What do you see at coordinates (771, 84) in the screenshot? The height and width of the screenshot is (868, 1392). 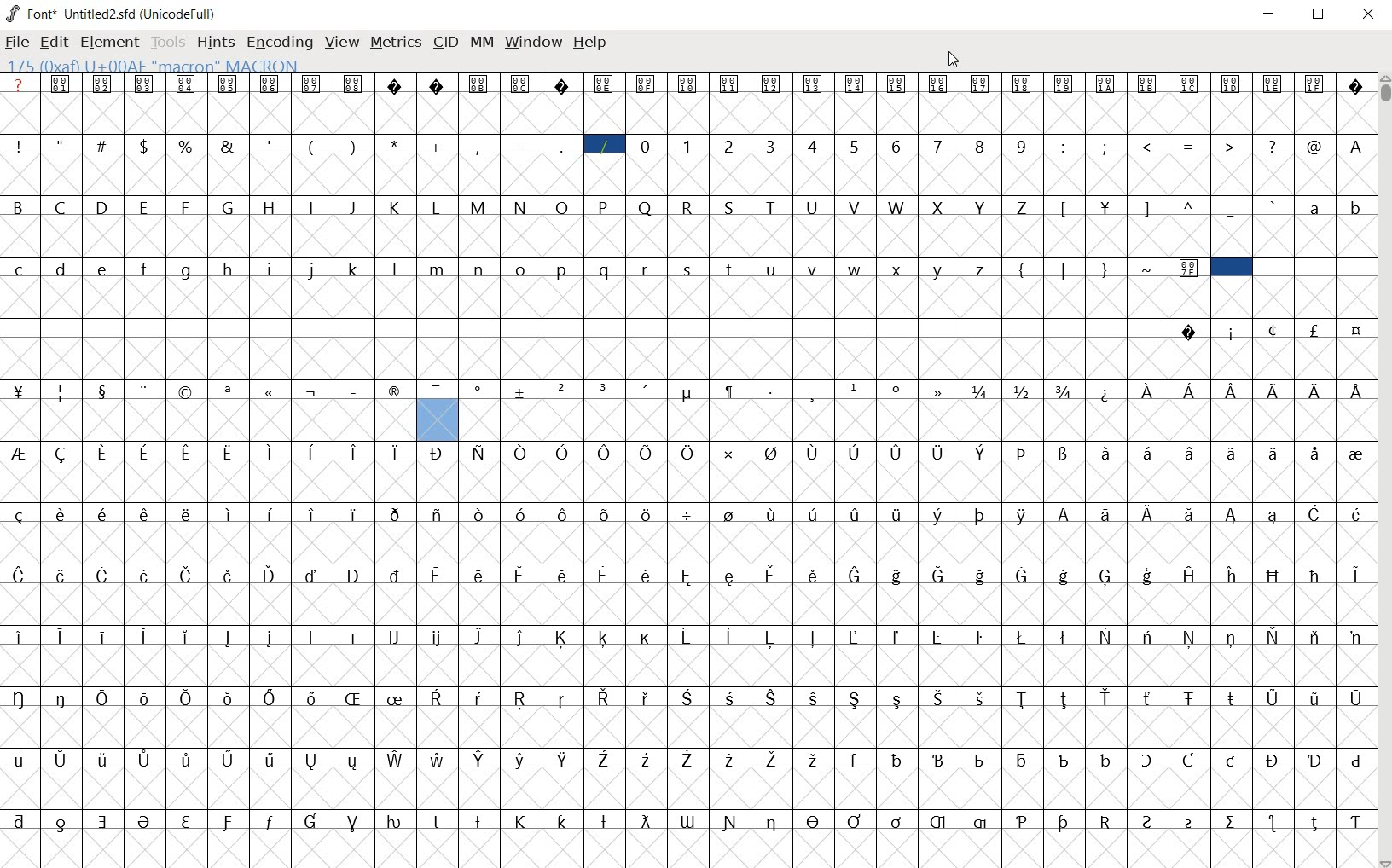 I see `Symbol` at bounding box center [771, 84].